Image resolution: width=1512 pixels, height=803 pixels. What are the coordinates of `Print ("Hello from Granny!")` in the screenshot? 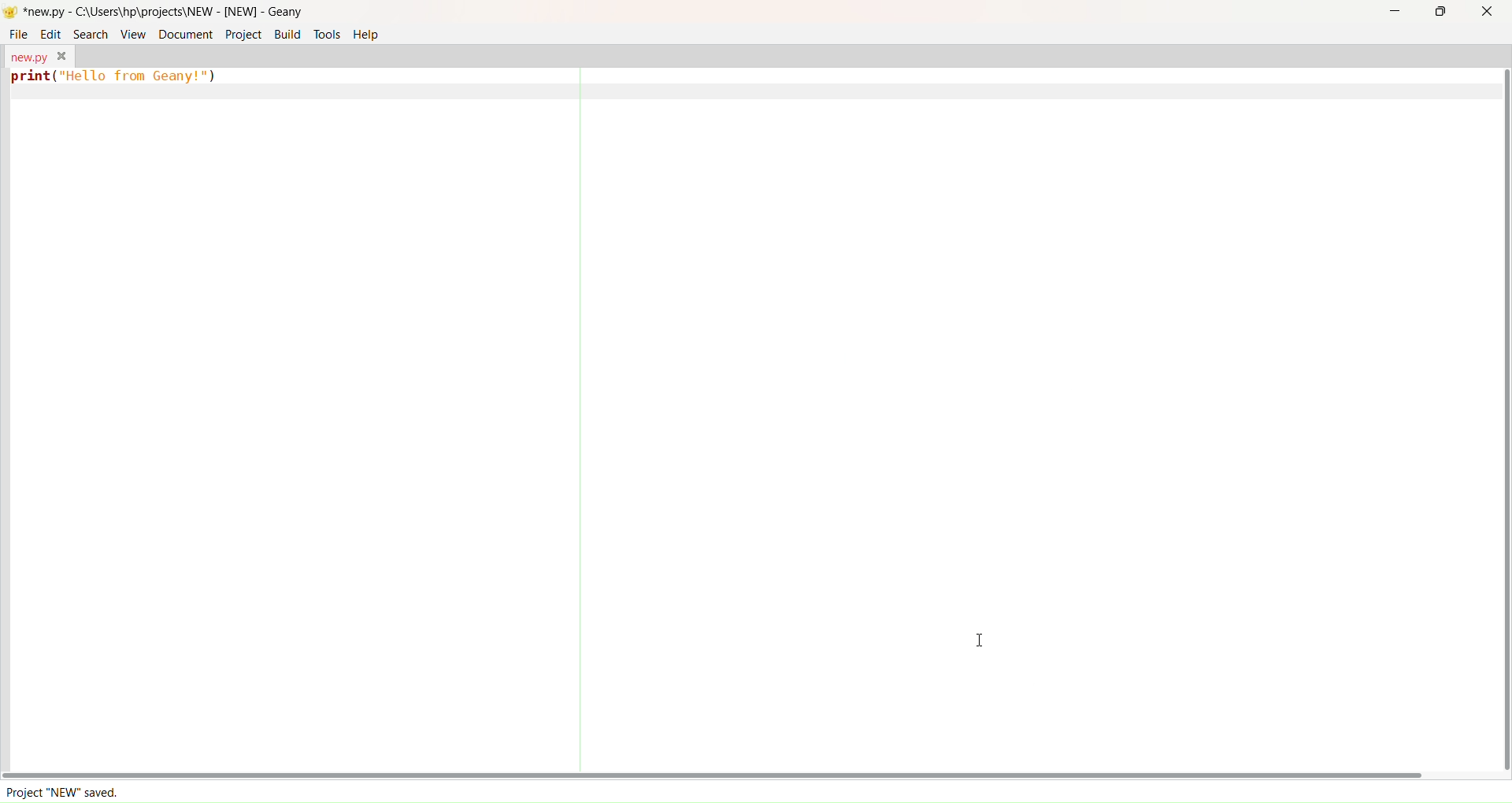 It's located at (117, 80).